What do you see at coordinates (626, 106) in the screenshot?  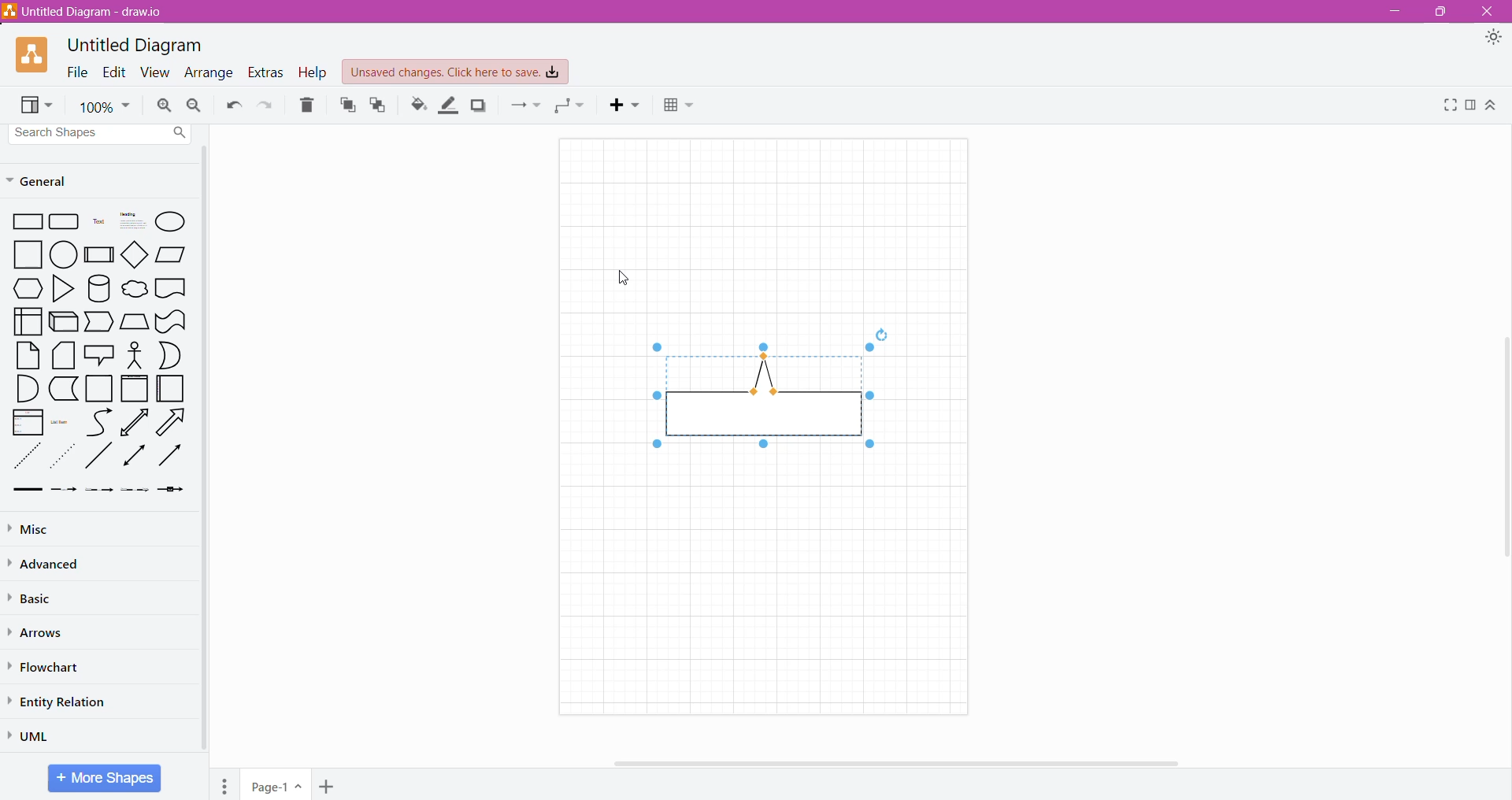 I see `Insert` at bounding box center [626, 106].